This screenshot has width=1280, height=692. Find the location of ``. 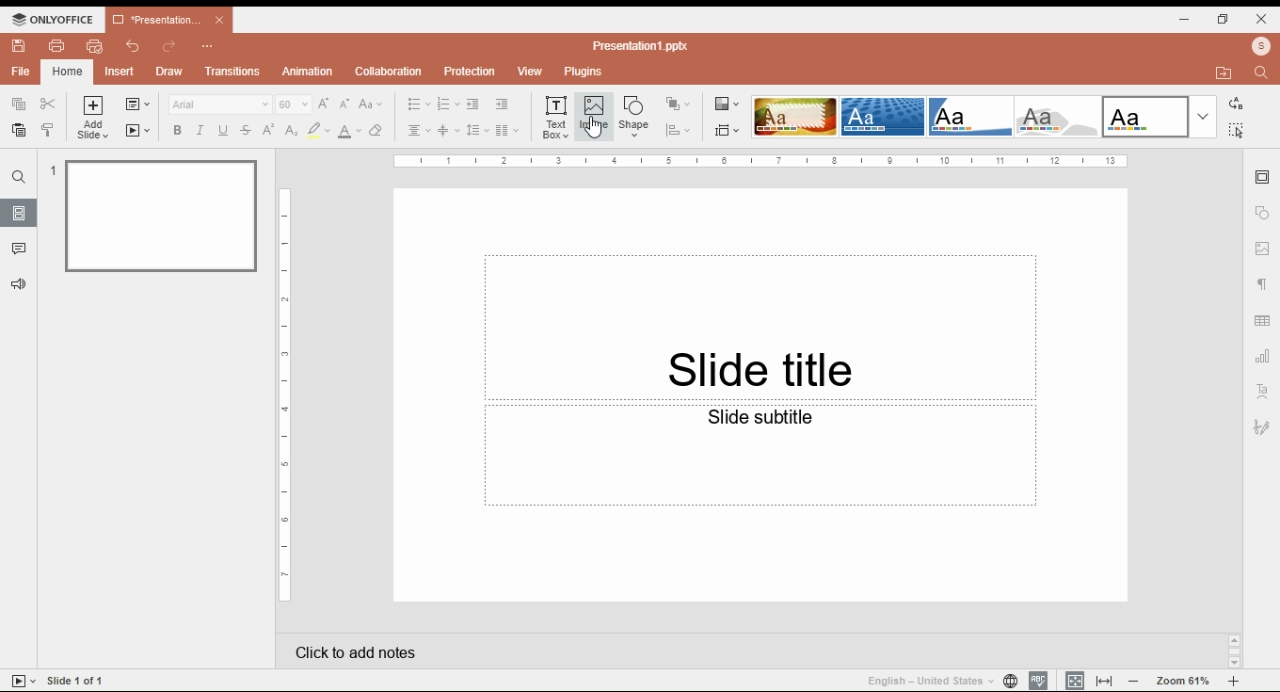

 is located at coordinates (1261, 427).